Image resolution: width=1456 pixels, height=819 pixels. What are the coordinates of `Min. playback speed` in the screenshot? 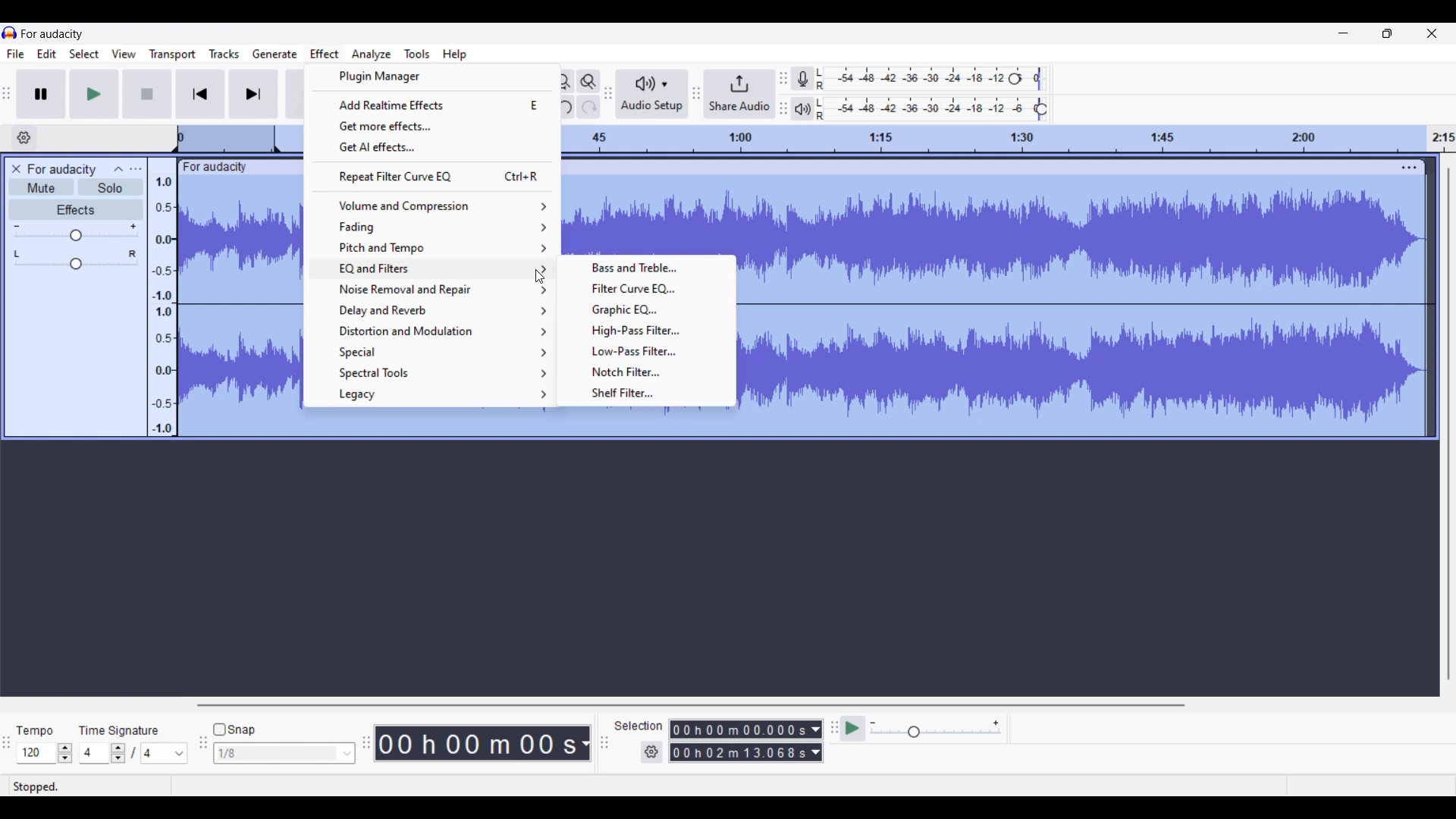 It's located at (874, 723).